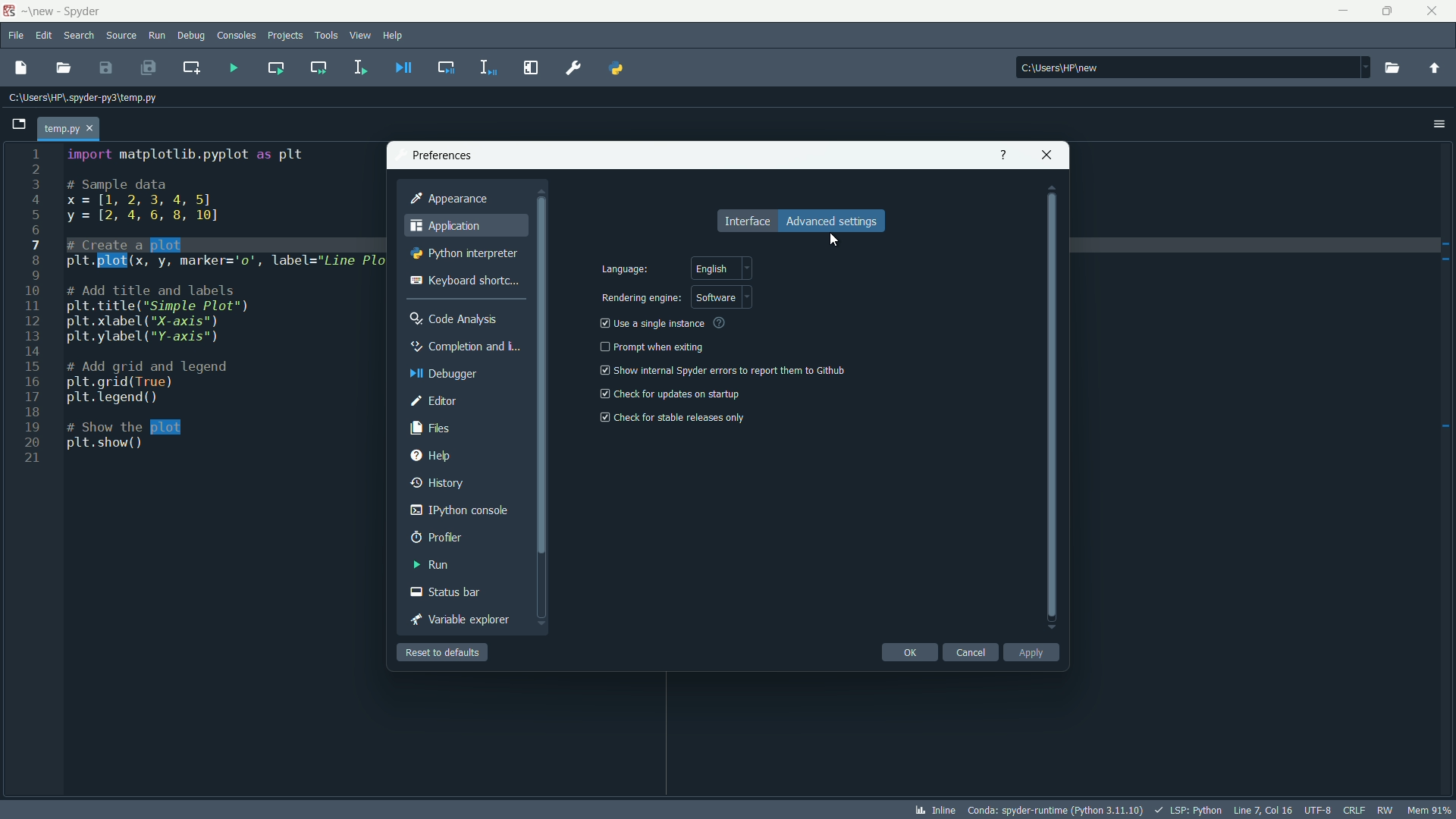  Describe the element at coordinates (403, 67) in the screenshot. I see `debug file` at that location.